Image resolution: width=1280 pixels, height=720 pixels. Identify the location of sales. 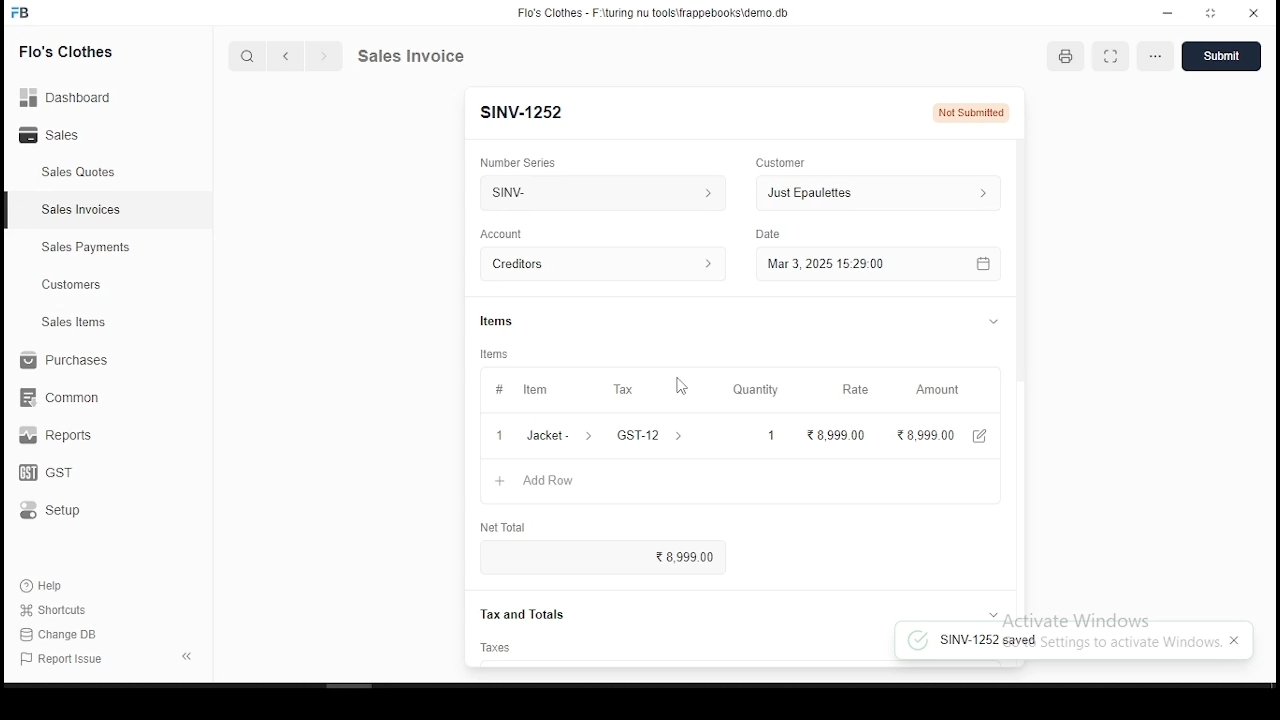
(64, 135).